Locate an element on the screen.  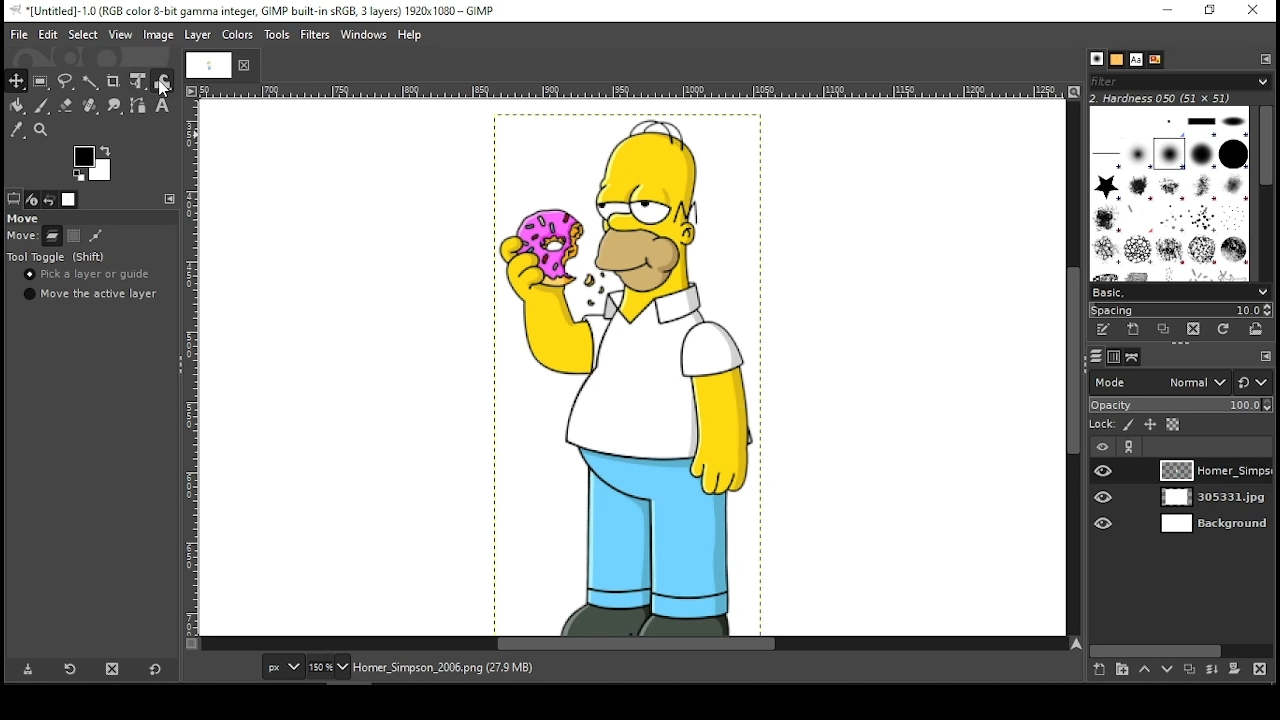
tool toggle is located at coordinates (57, 256).